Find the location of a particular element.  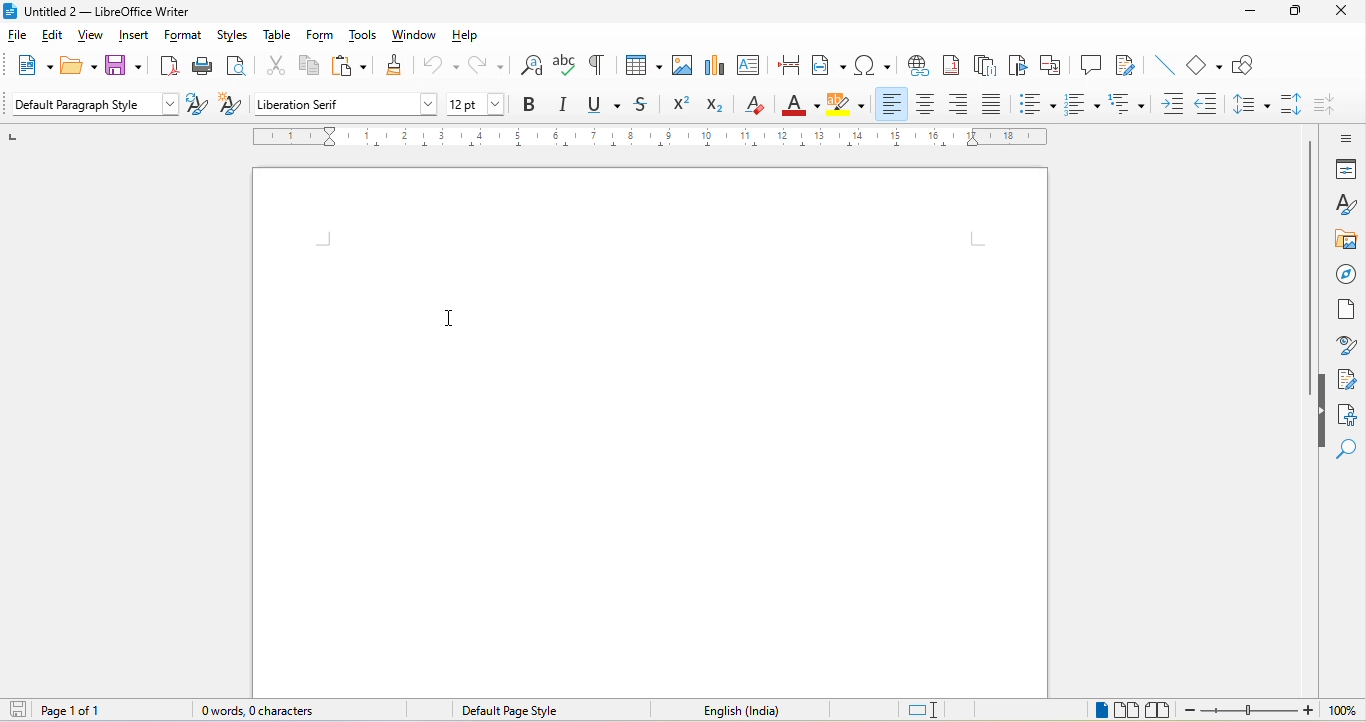

redo is located at coordinates (484, 69).